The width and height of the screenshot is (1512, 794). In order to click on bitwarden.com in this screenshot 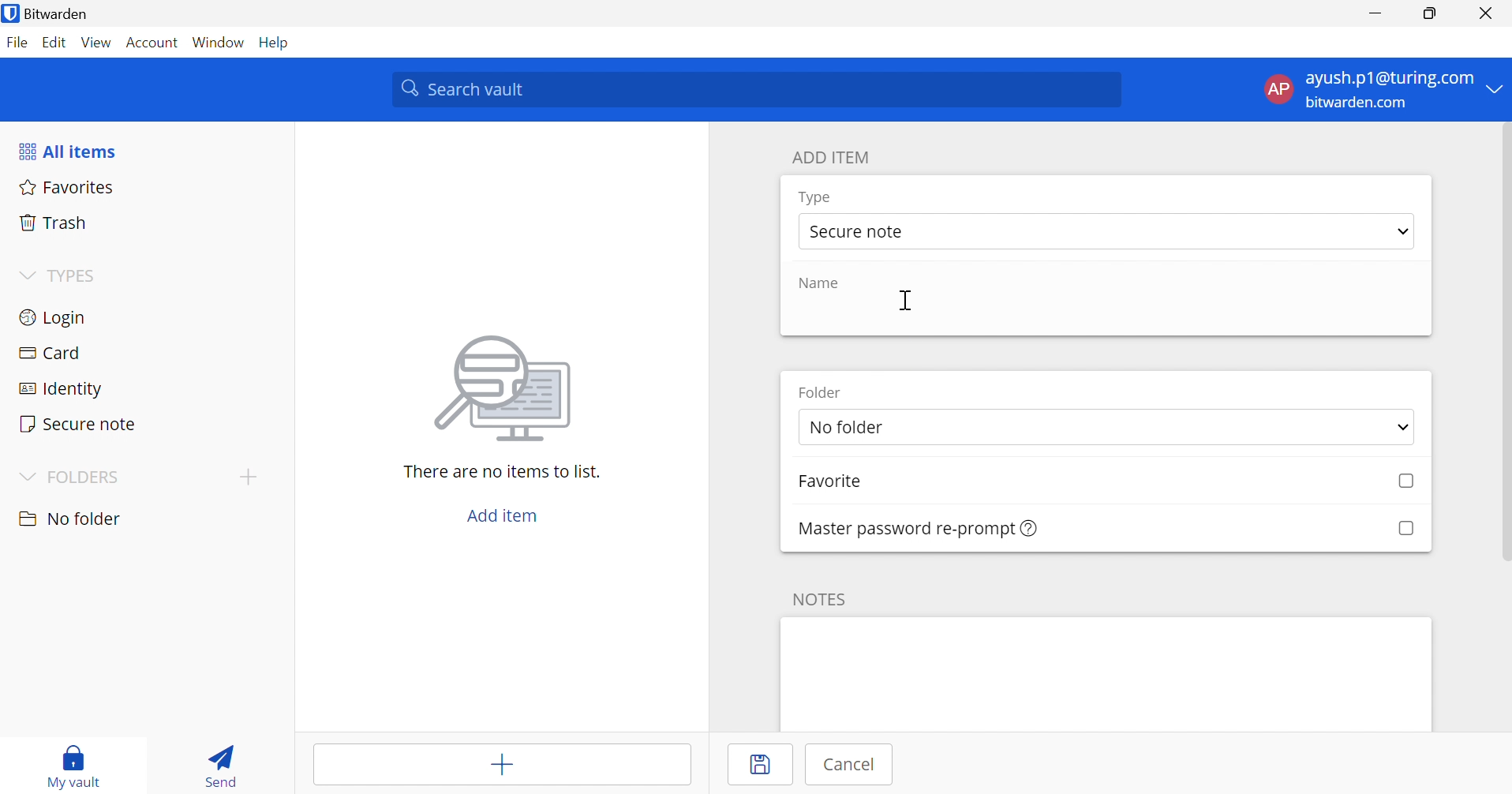, I will do `click(1356, 103)`.